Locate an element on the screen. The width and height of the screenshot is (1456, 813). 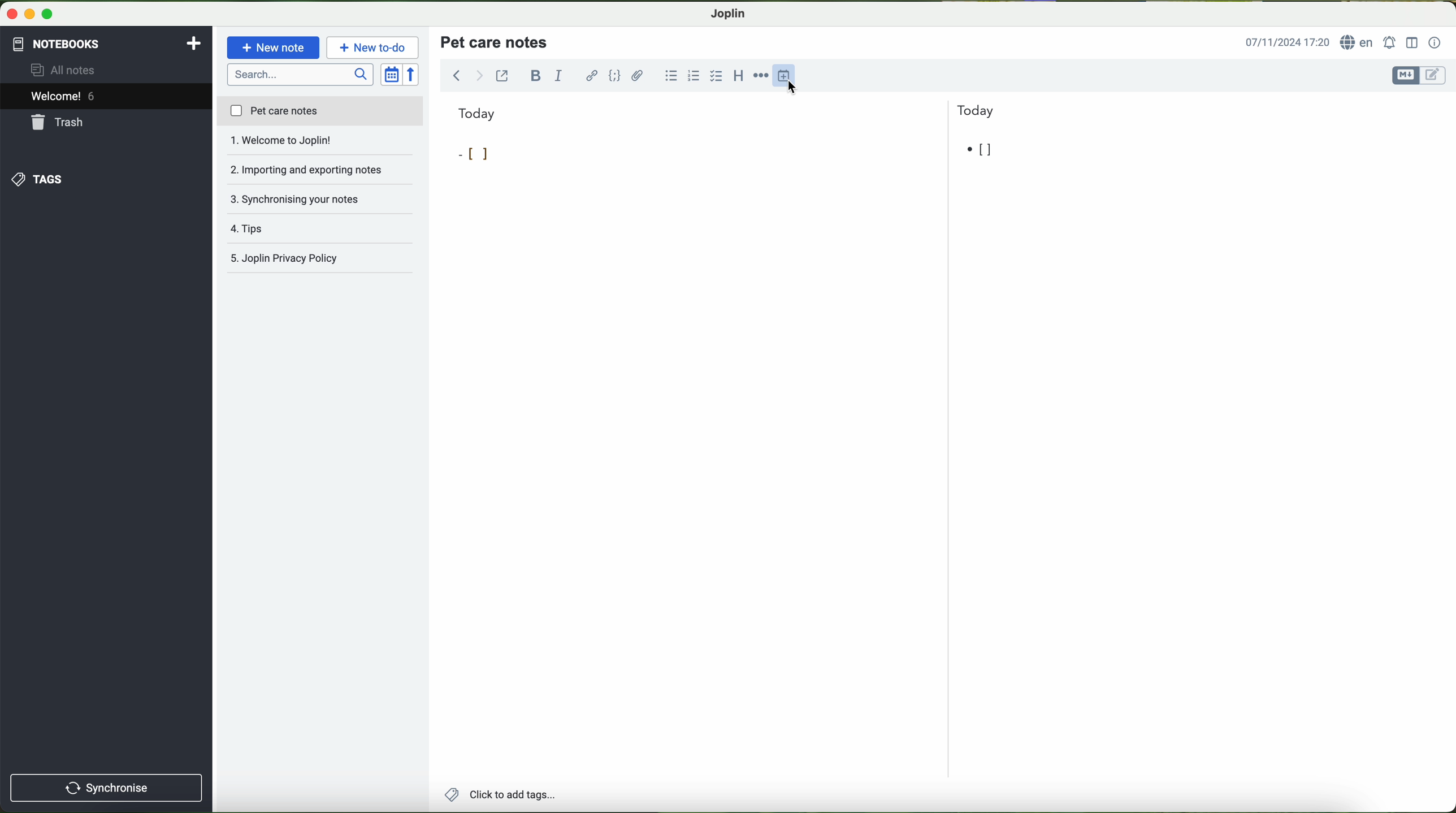
pet care notes file is located at coordinates (319, 112).